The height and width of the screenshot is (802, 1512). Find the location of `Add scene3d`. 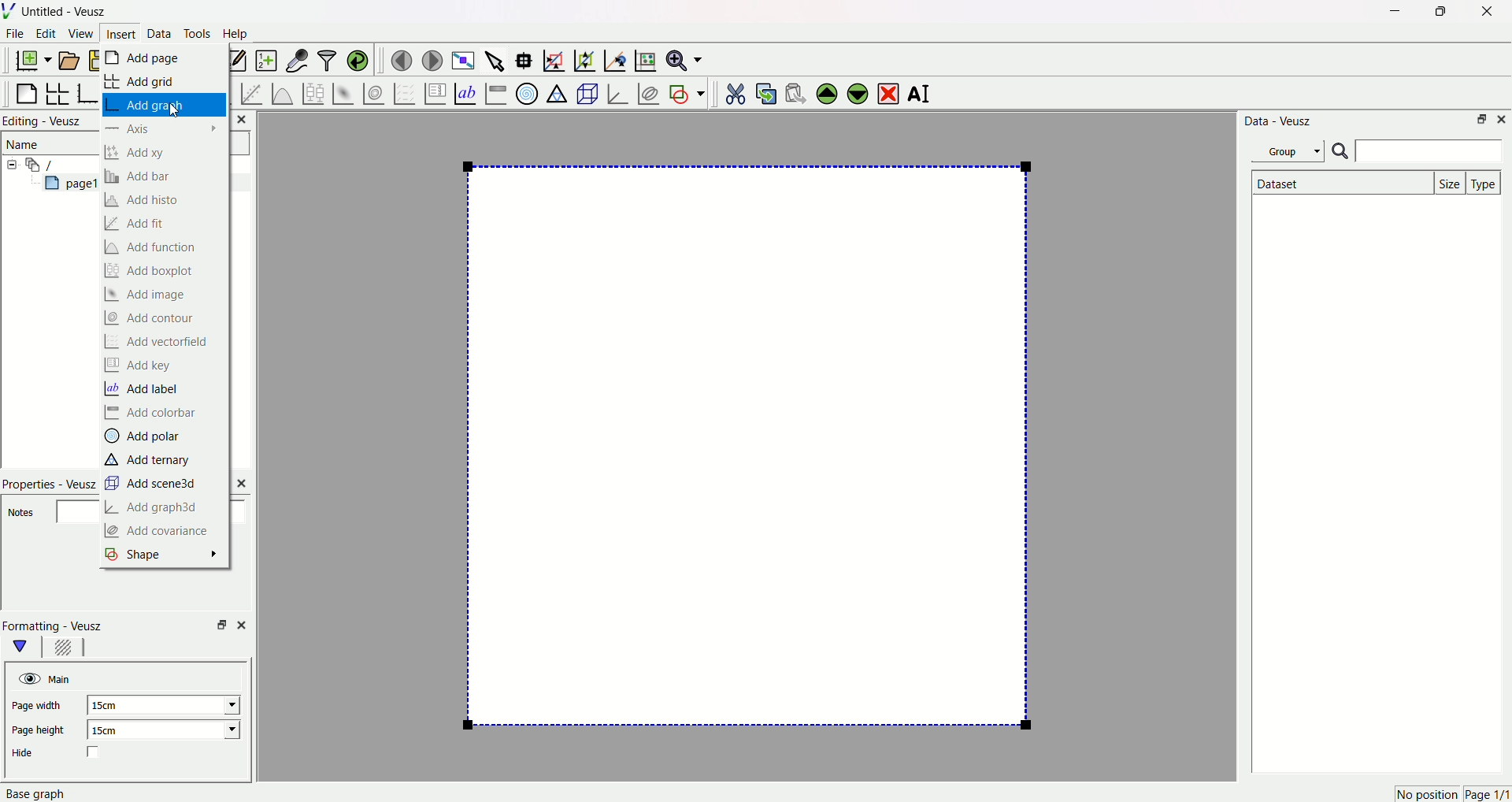

Add scene3d is located at coordinates (161, 484).